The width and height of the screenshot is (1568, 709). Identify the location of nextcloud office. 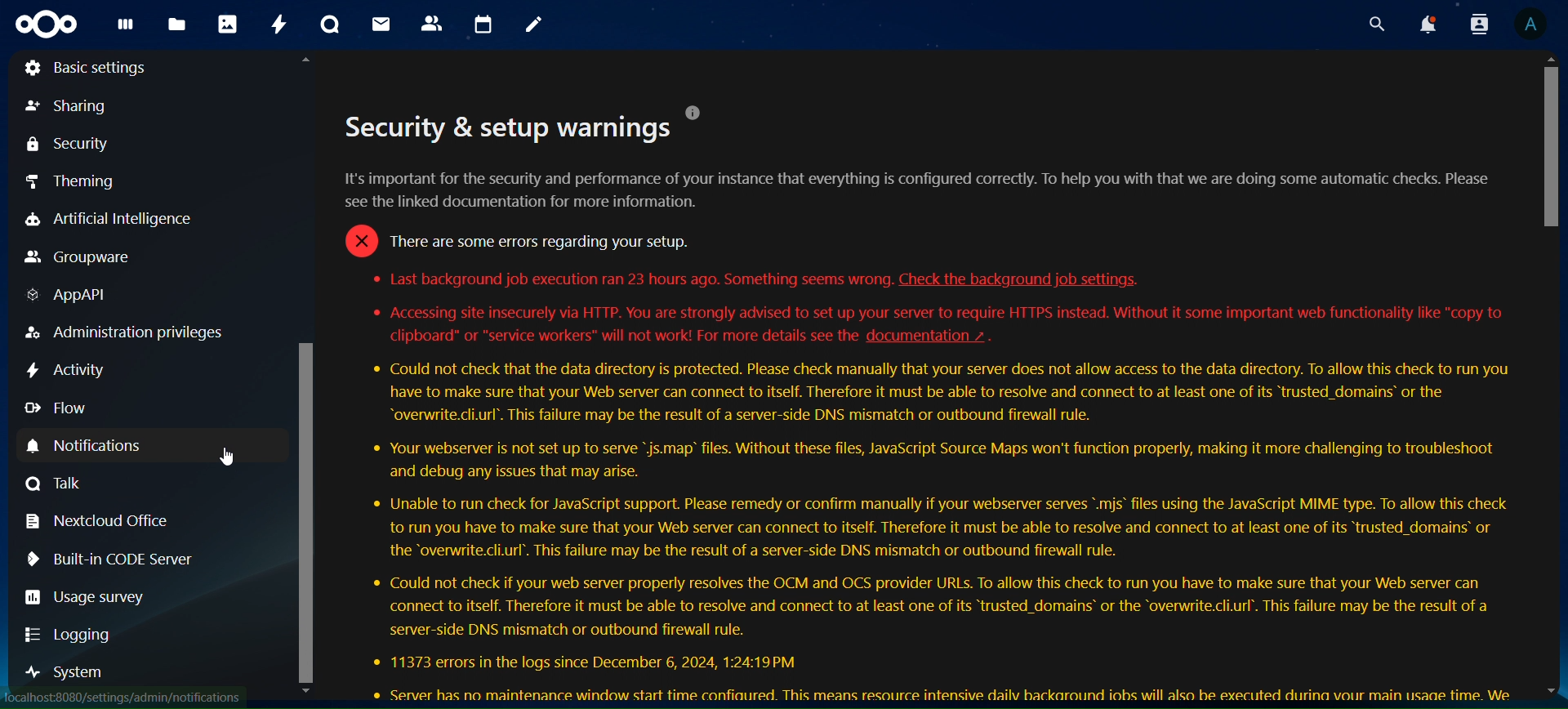
(100, 519).